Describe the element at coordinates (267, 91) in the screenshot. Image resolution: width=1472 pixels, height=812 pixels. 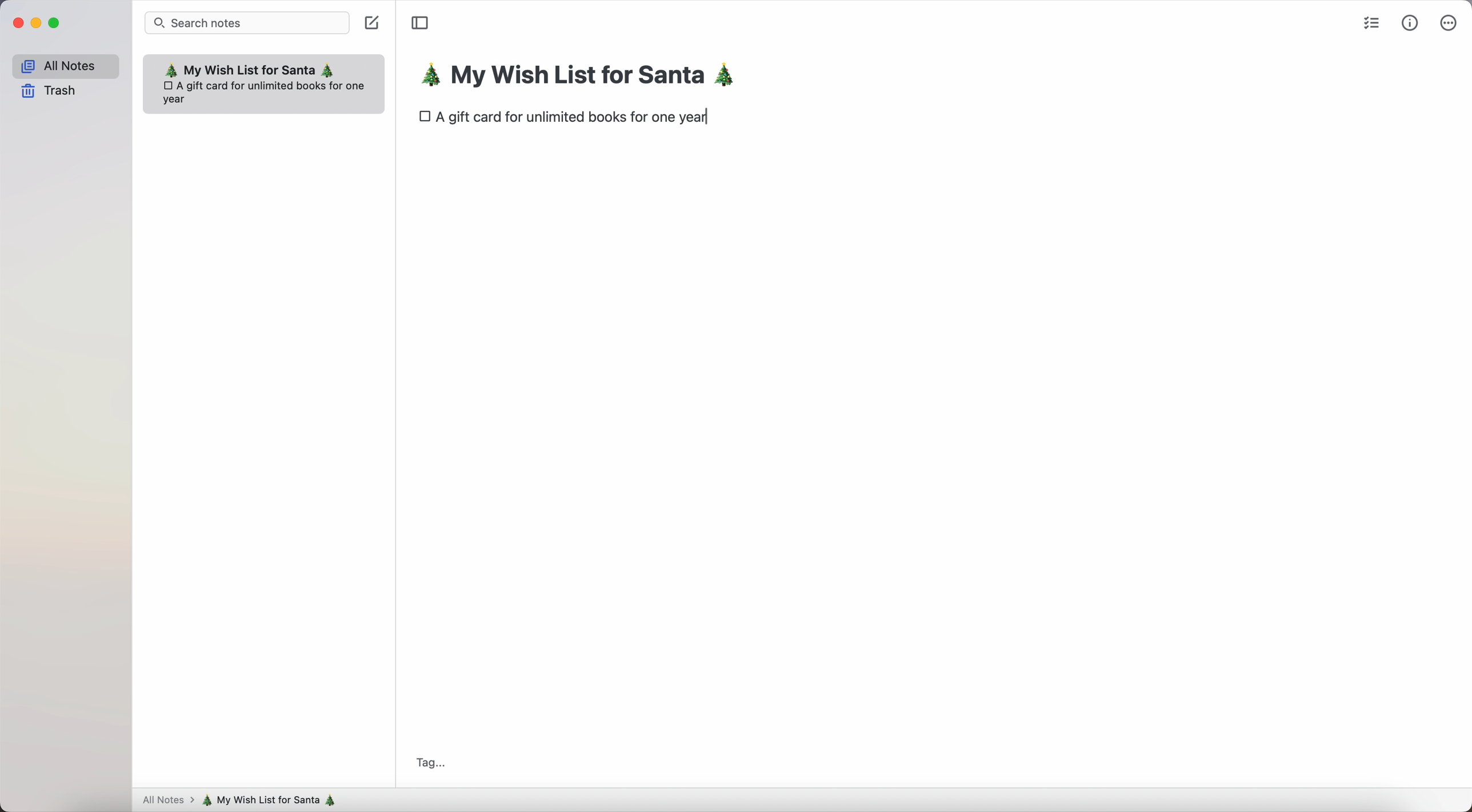
I see `A gift card for unlimited books for one year` at that location.